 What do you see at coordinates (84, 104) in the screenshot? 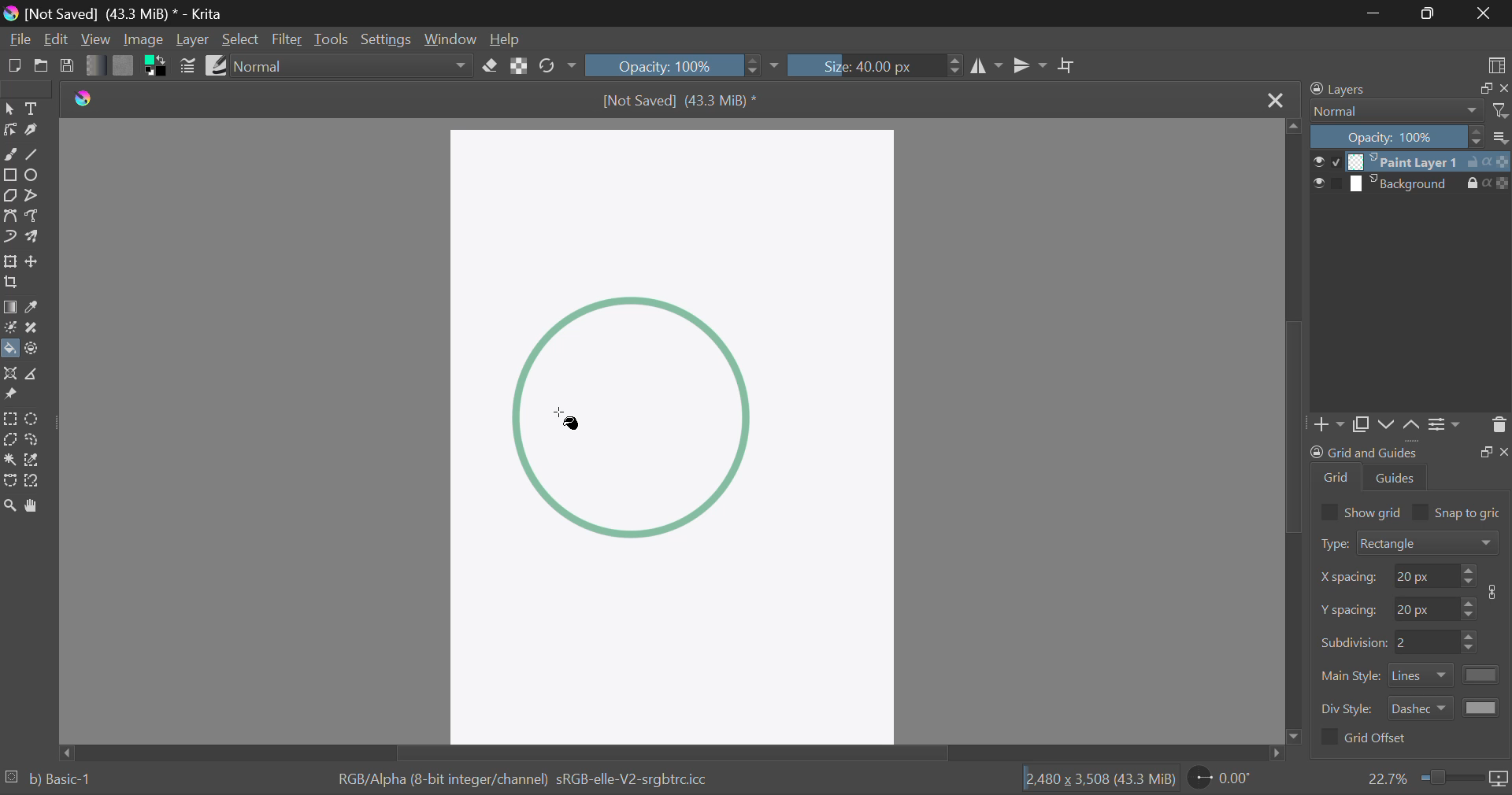
I see `logo` at bounding box center [84, 104].